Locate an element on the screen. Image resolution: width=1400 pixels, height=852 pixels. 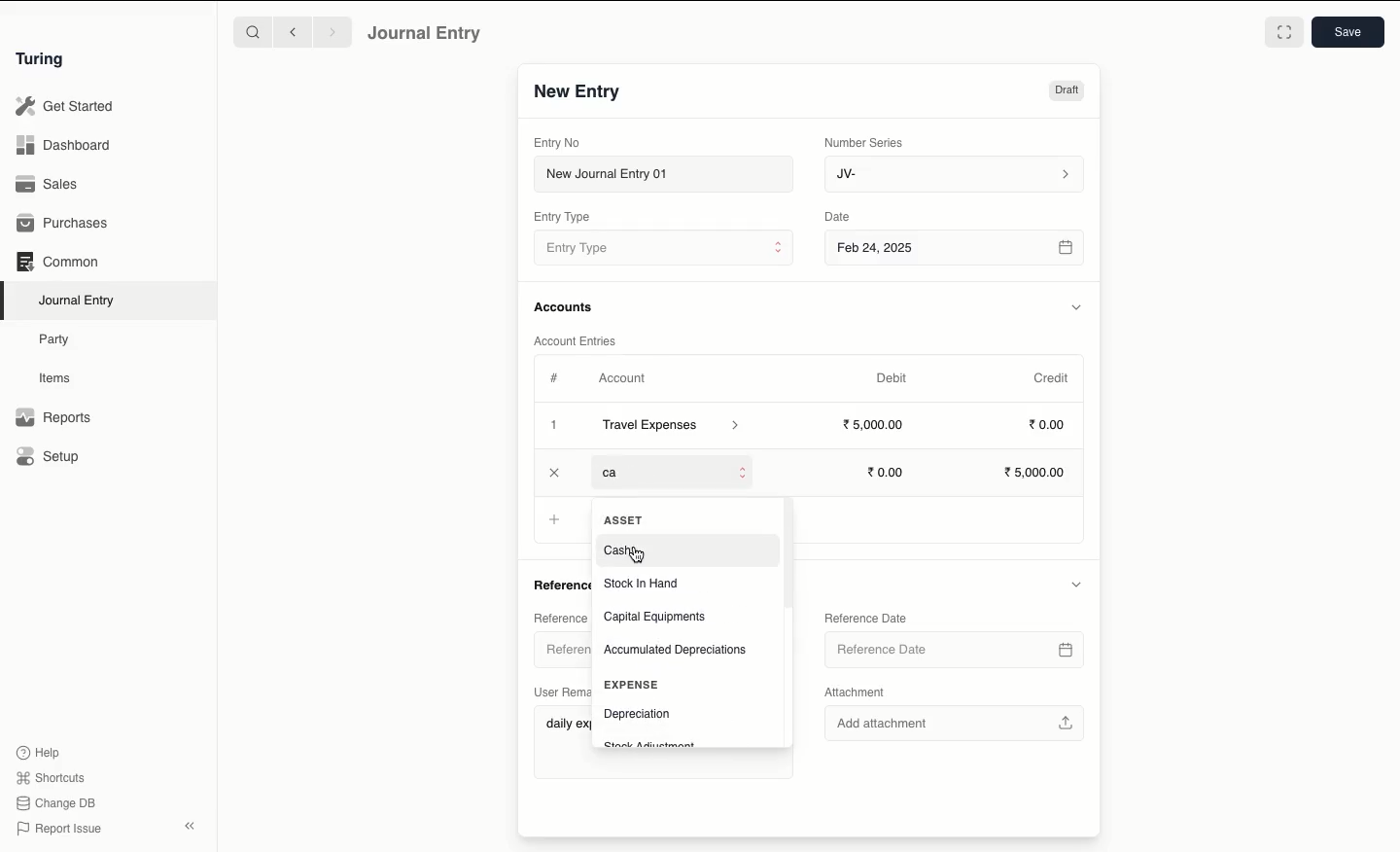
Depreciation is located at coordinates (637, 713).